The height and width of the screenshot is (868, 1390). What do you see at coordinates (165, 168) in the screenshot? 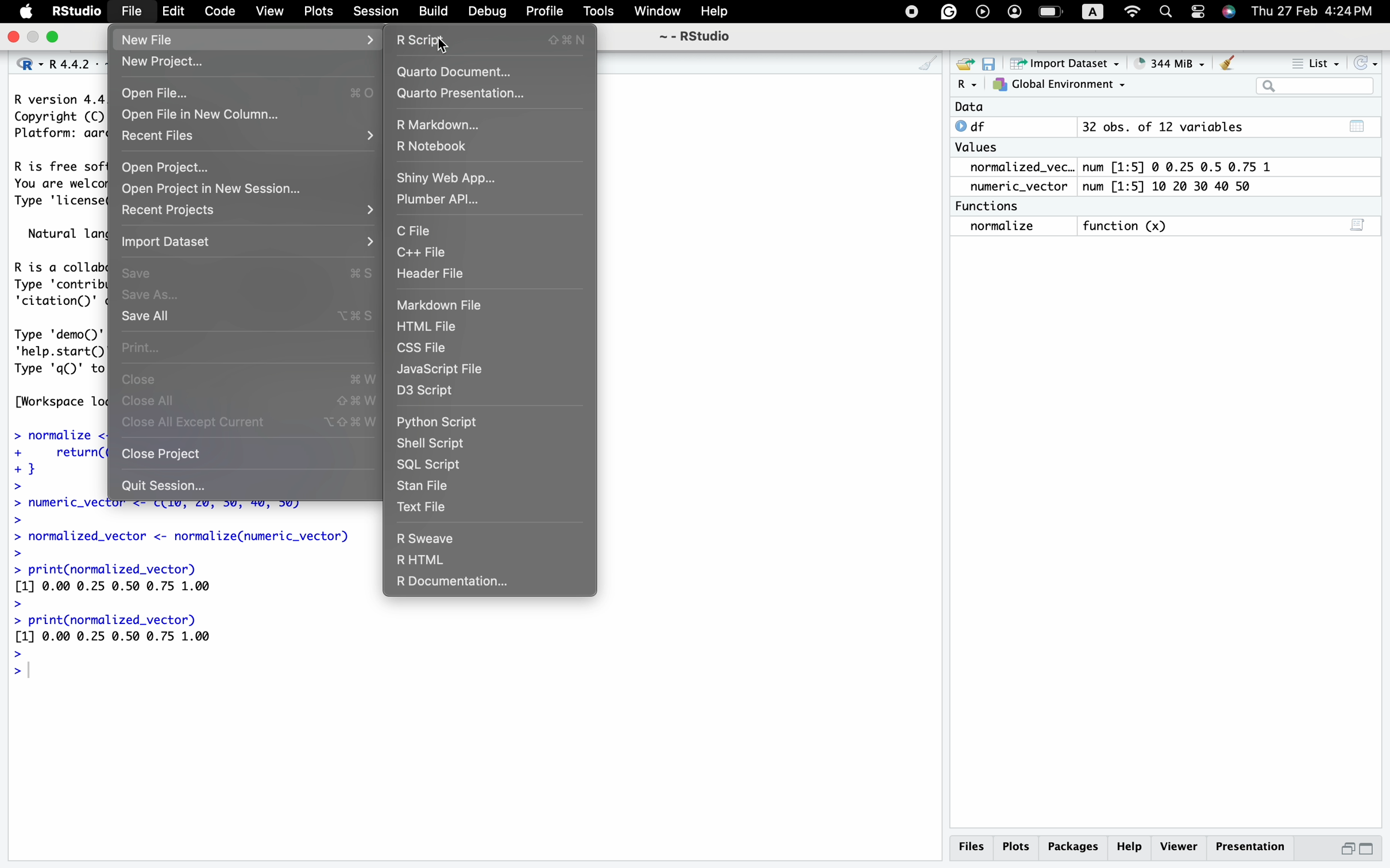
I see `Open Project...` at bounding box center [165, 168].